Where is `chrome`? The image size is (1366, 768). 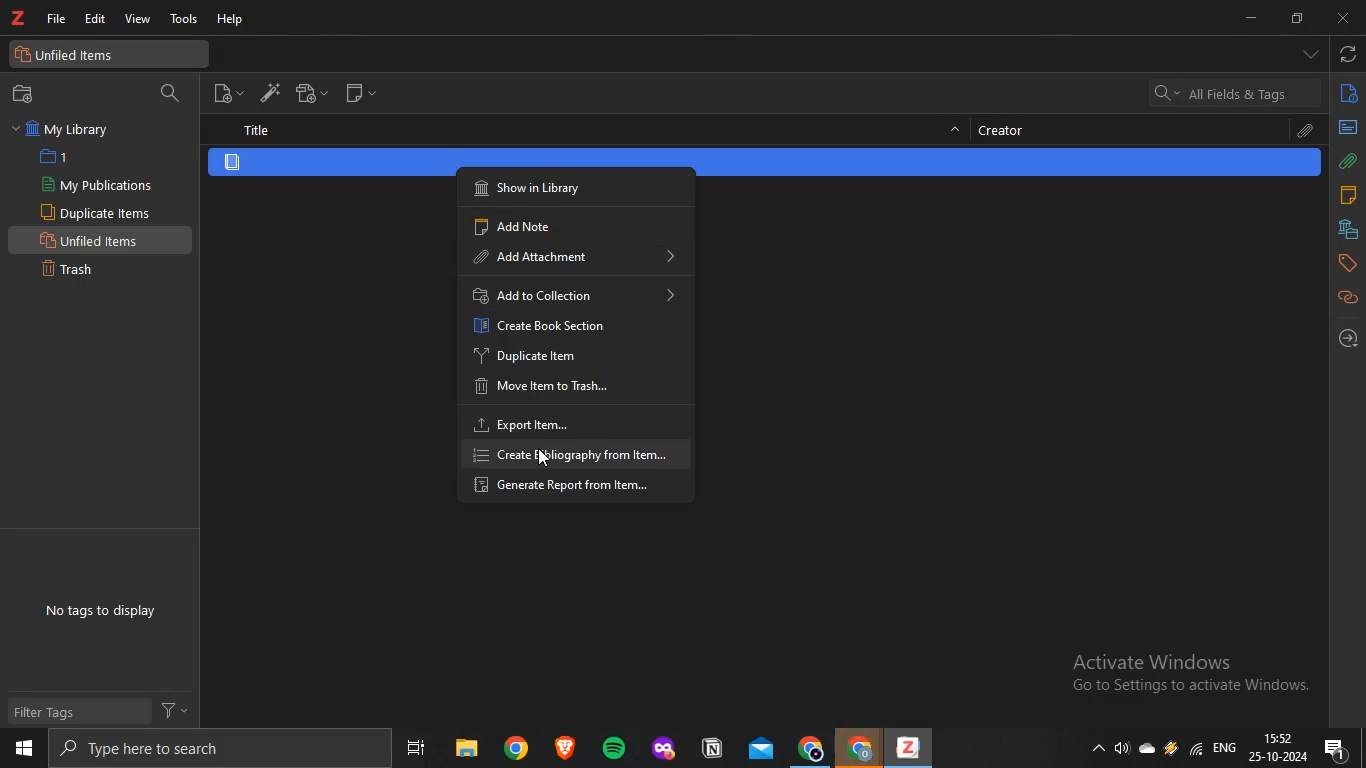 chrome is located at coordinates (860, 748).